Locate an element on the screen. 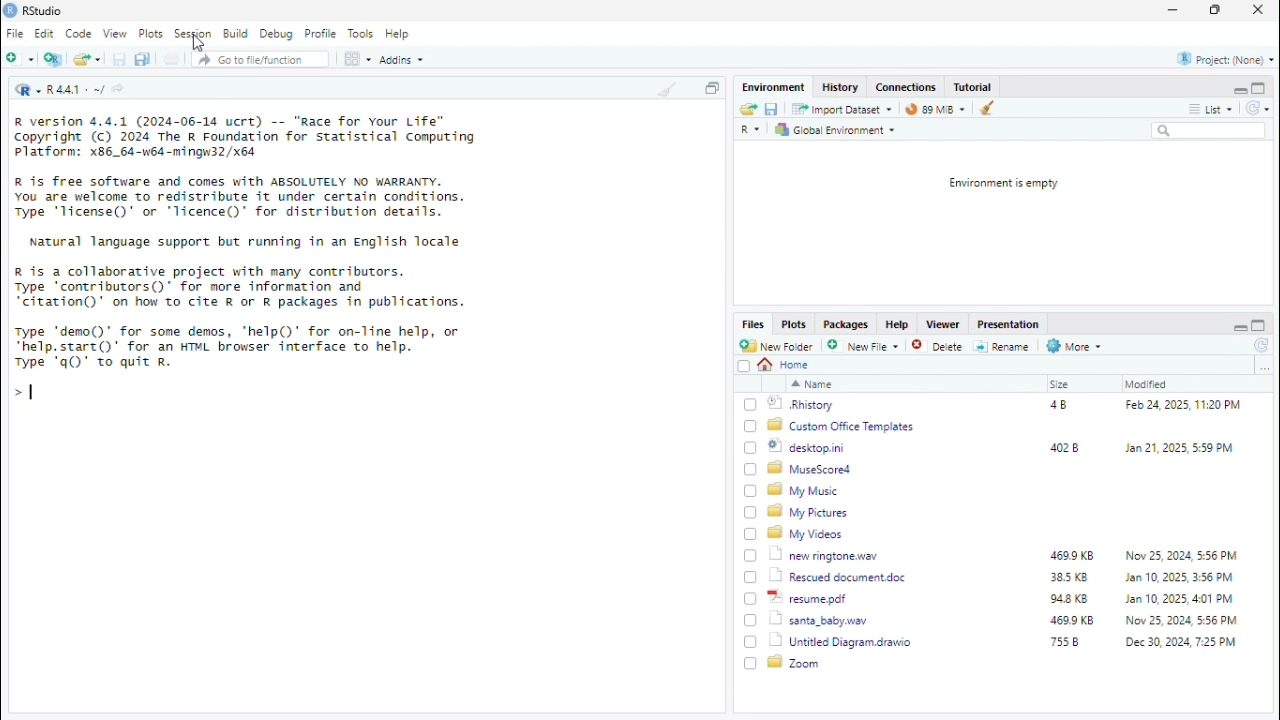 The image size is (1280, 720). Plots is located at coordinates (151, 33).